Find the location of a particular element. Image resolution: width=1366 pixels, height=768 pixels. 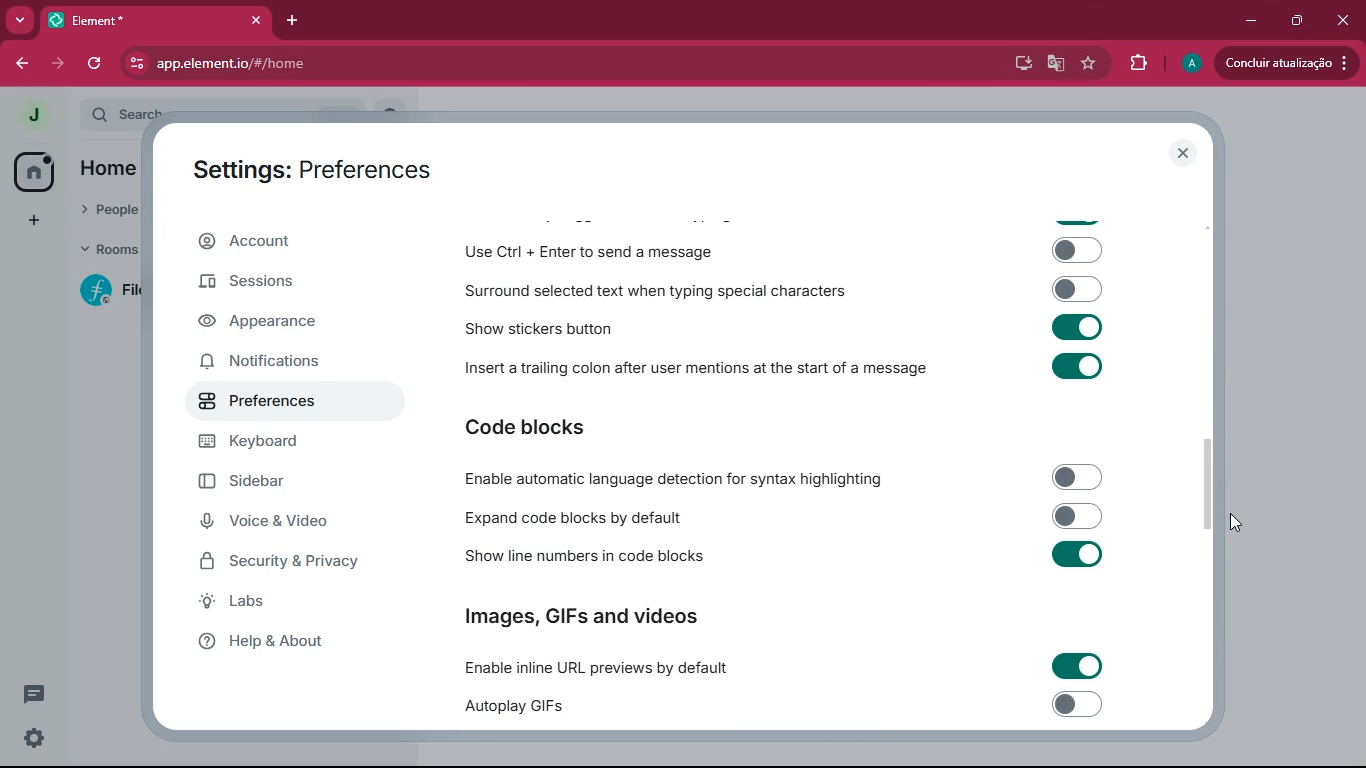

people is located at coordinates (105, 208).